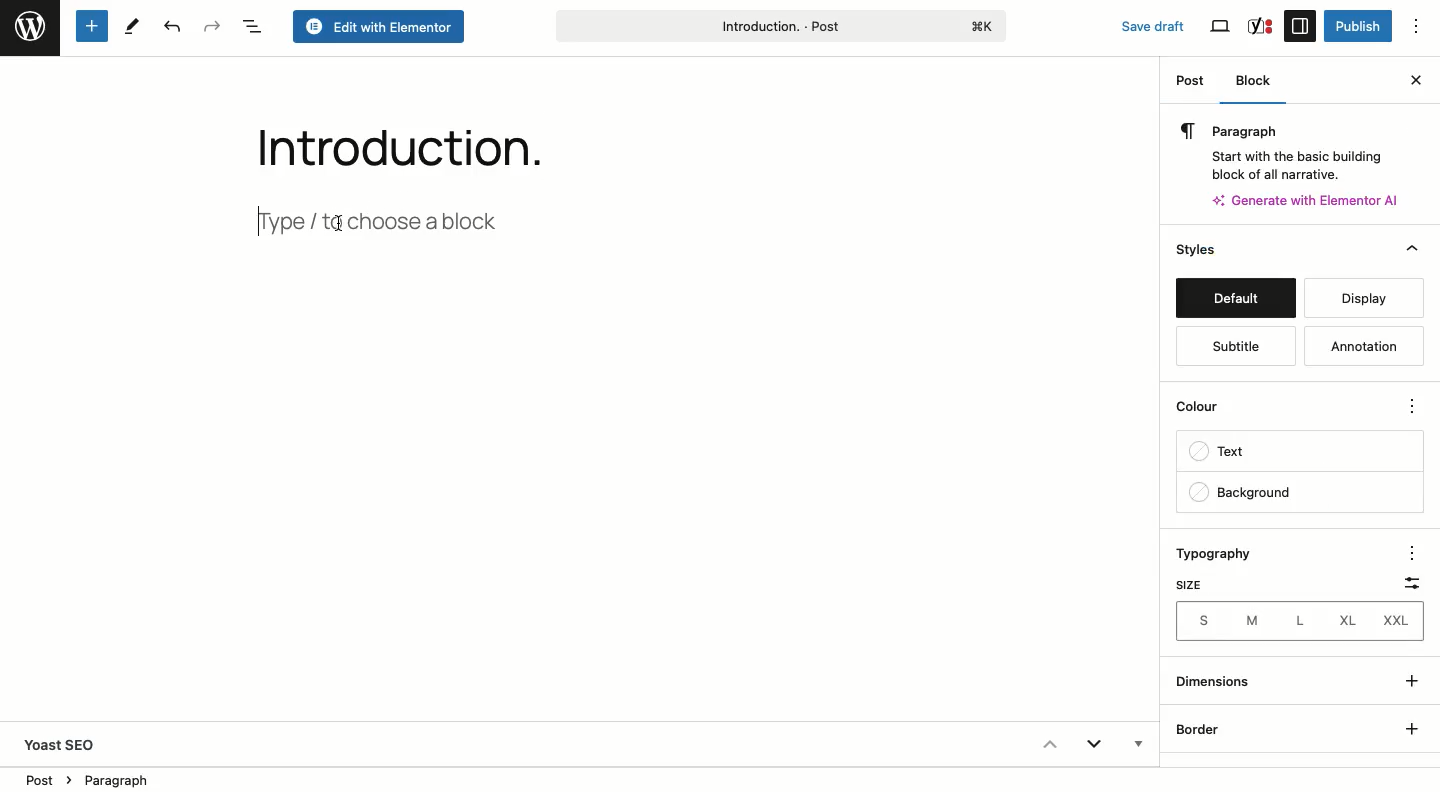 The image size is (1440, 792). What do you see at coordinates (1258, 83) in the screenshot?
I see `Block` at bounding box center [1258, 83].